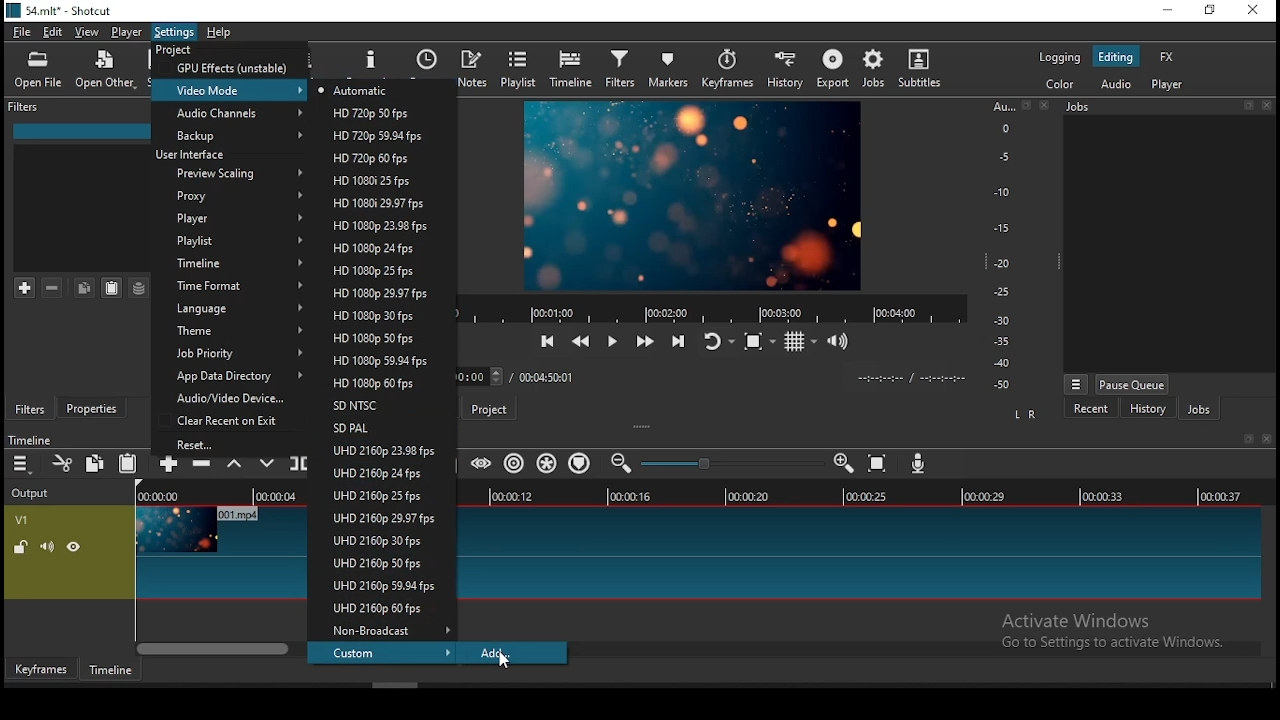 The height and width of the screenshot is (720, 1280). What do you see at coordinates (472, 69) in the screenshot?
I see `notes` at bounding box center [472, 69].